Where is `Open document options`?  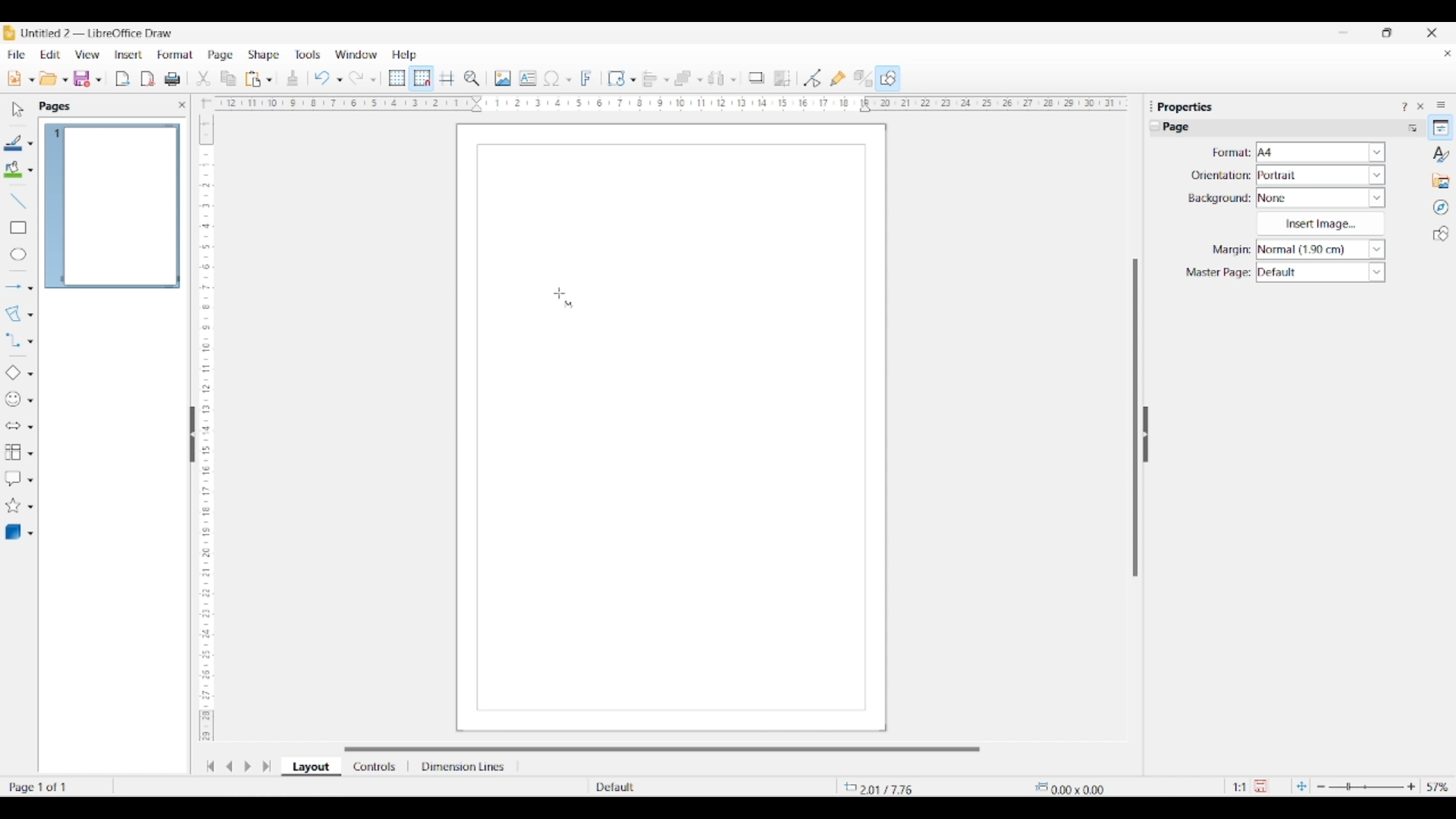 Open document options is located at coordinates (64, 80).